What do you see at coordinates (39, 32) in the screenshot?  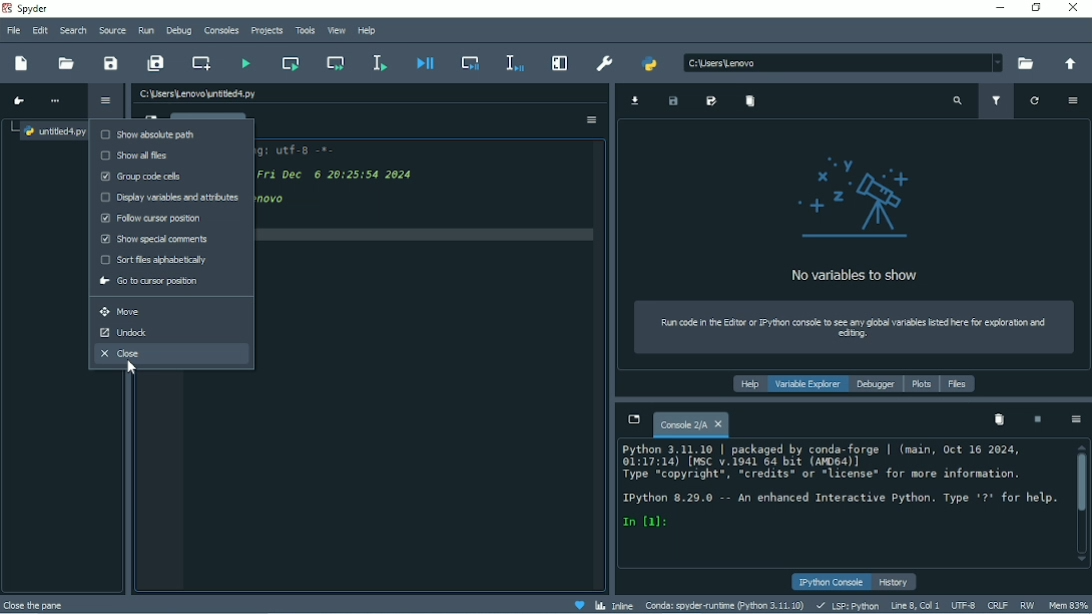 I see `Edit` at bounding box center [39, 32].